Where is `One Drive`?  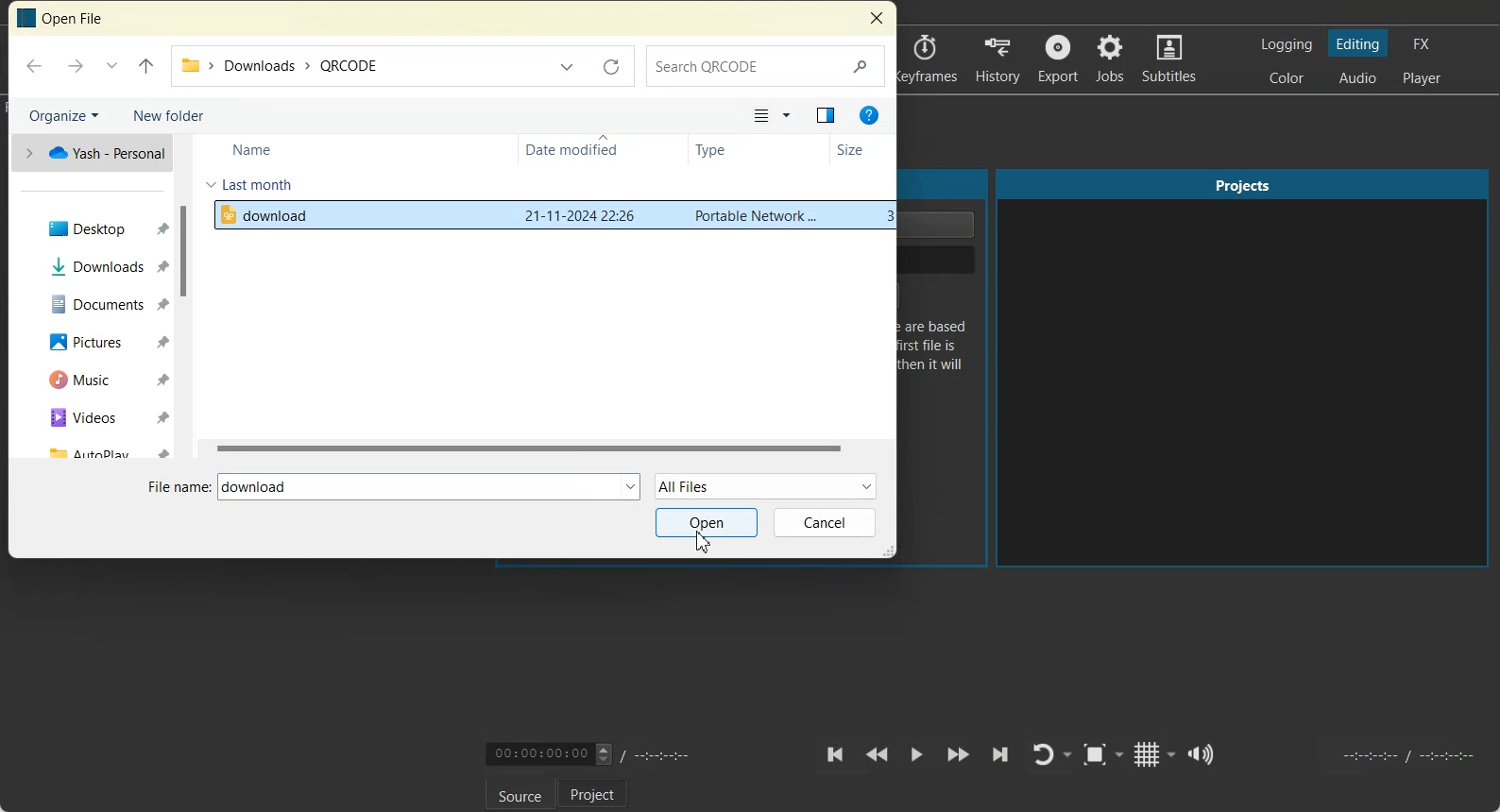
One Drive is located at coordinates (91, 153).